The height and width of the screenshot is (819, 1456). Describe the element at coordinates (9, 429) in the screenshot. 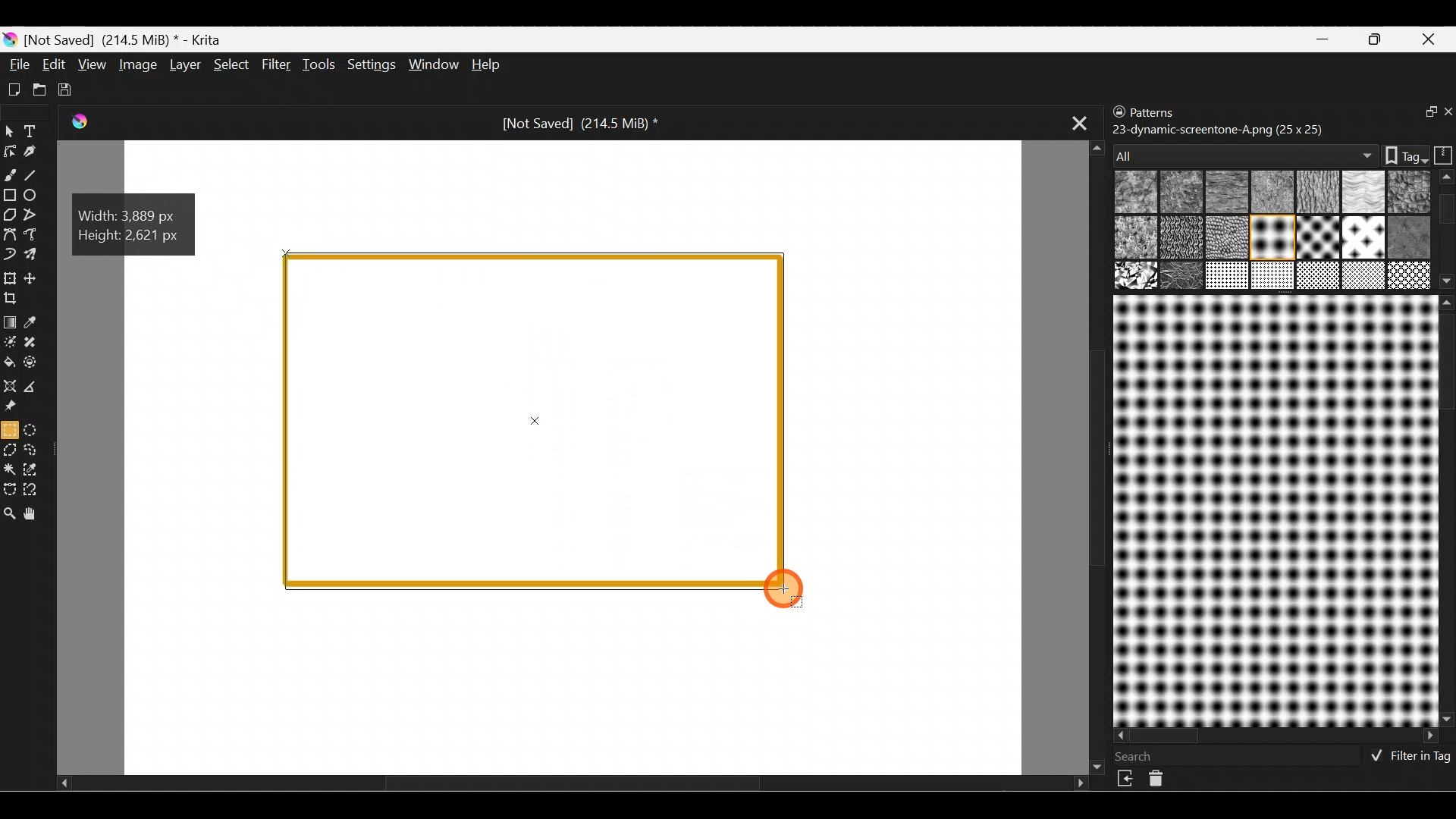

I see `Rectangular selection tool` at that location.